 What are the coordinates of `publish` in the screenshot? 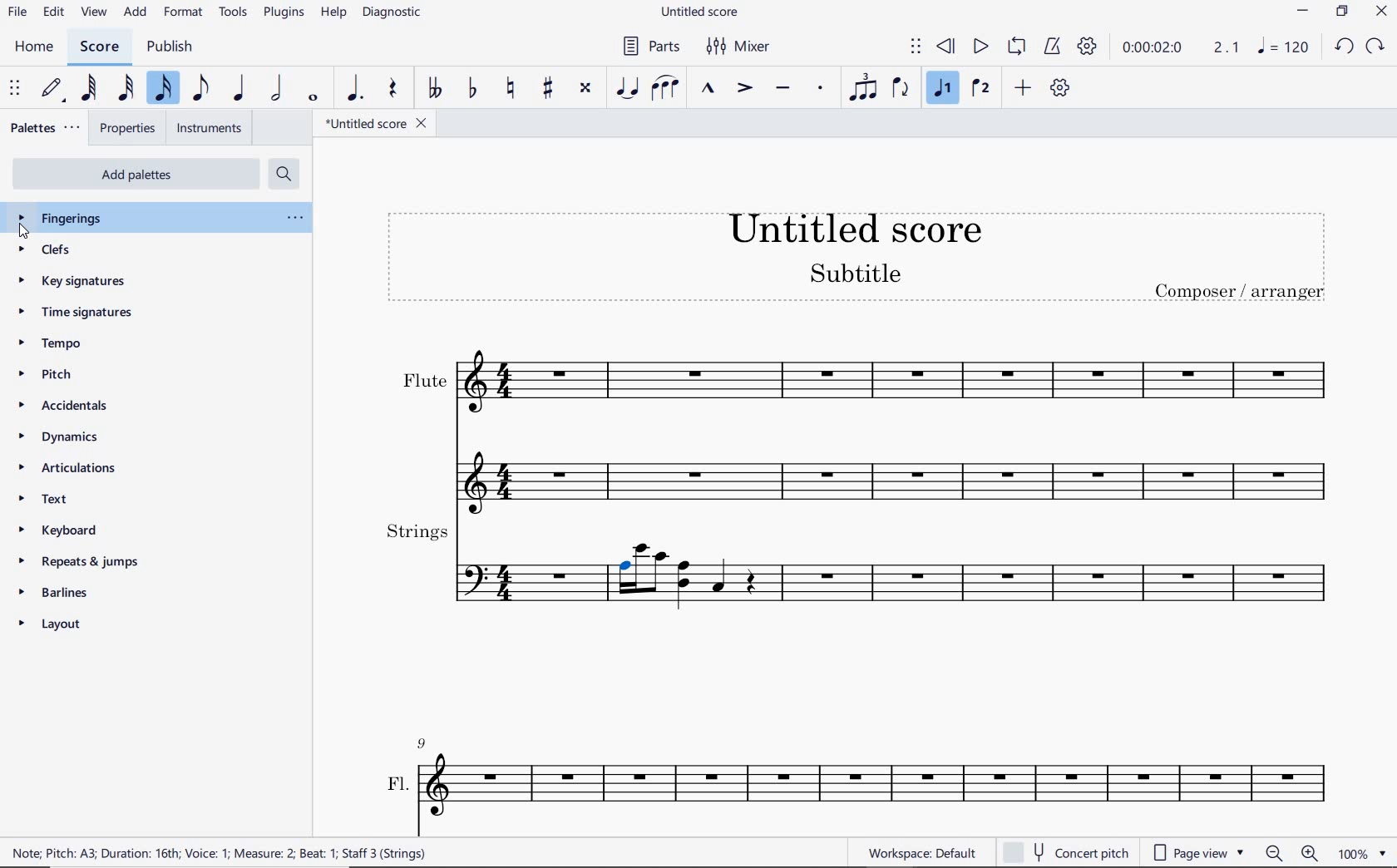 It's located at (175, 47).